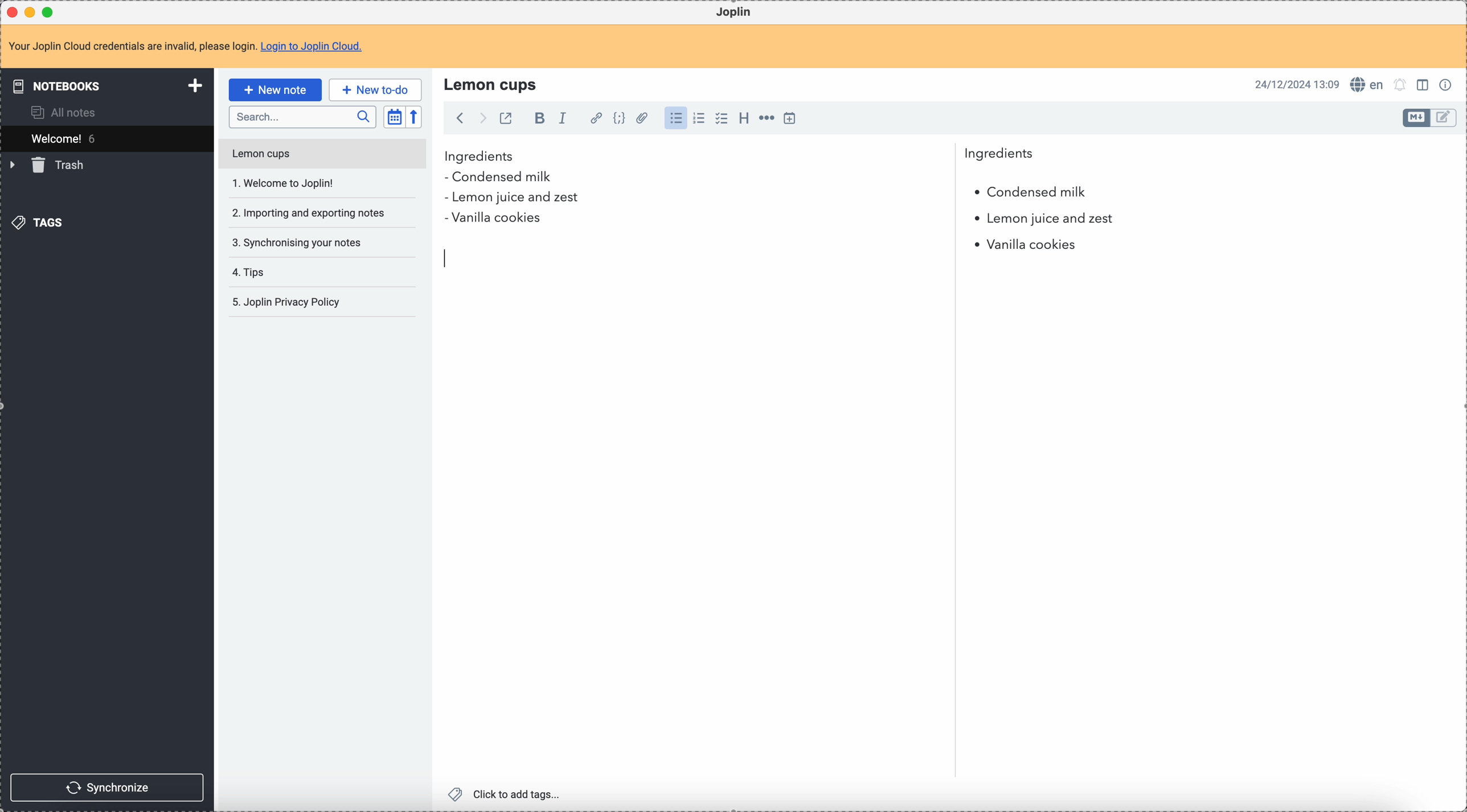 Image resolution: width=1467 pixels, height=812 pixels. I want to click on synchronising your notes, so click(296, 241).